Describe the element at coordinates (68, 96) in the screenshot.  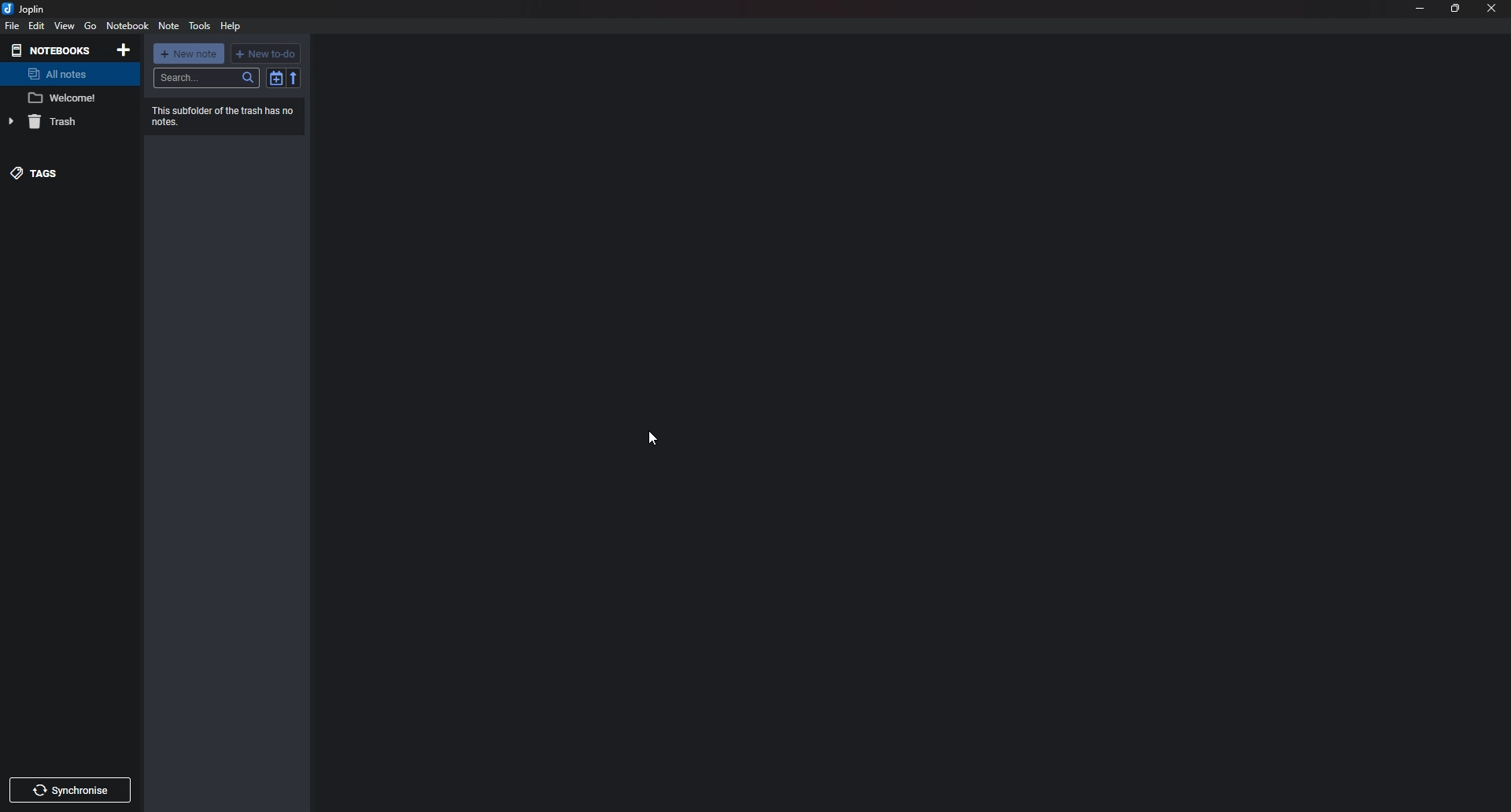
I see `note` at that location.